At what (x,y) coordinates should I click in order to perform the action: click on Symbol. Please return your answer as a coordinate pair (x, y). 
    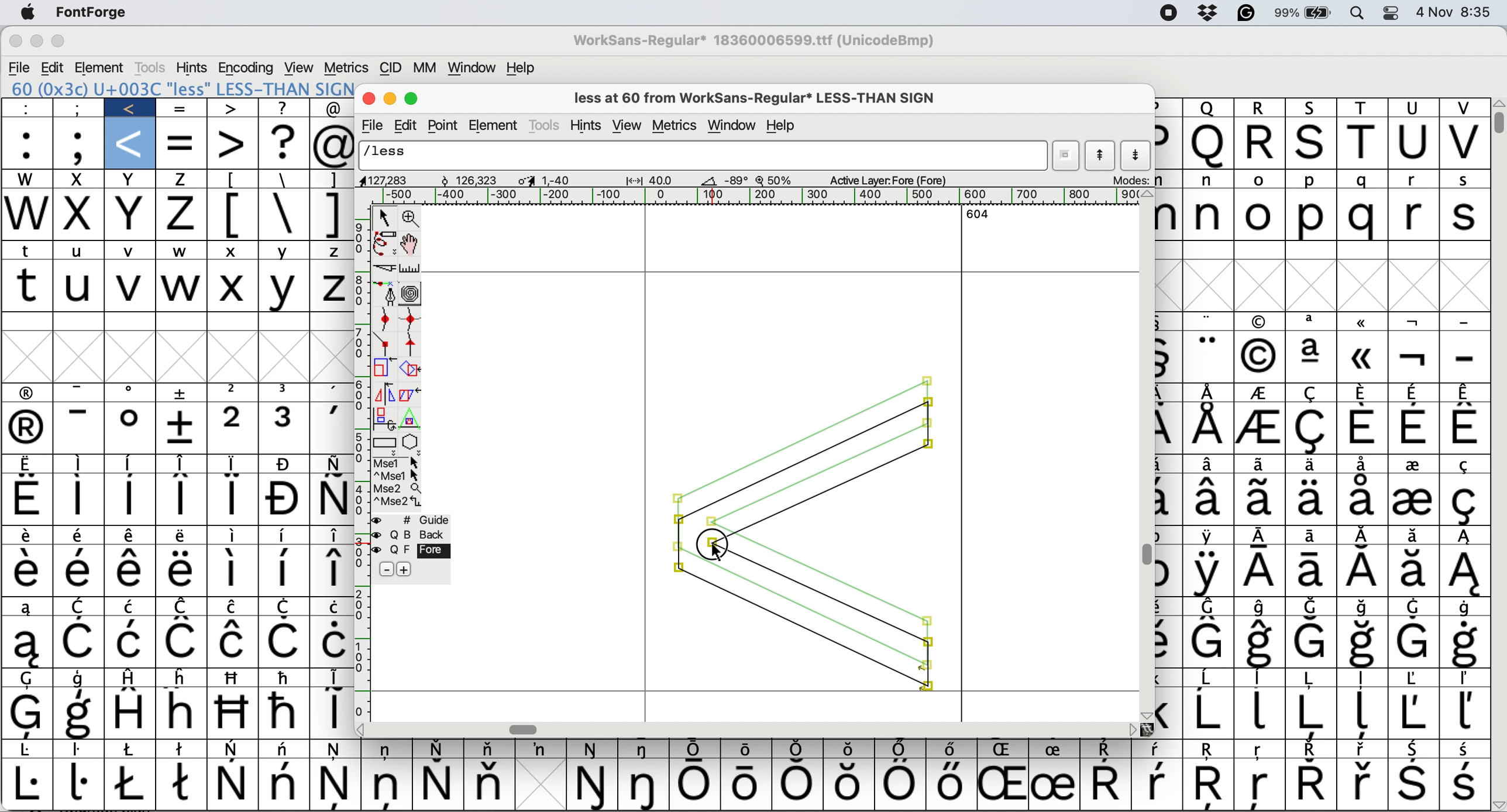
    Looking at the image, I should click on (329, 570).